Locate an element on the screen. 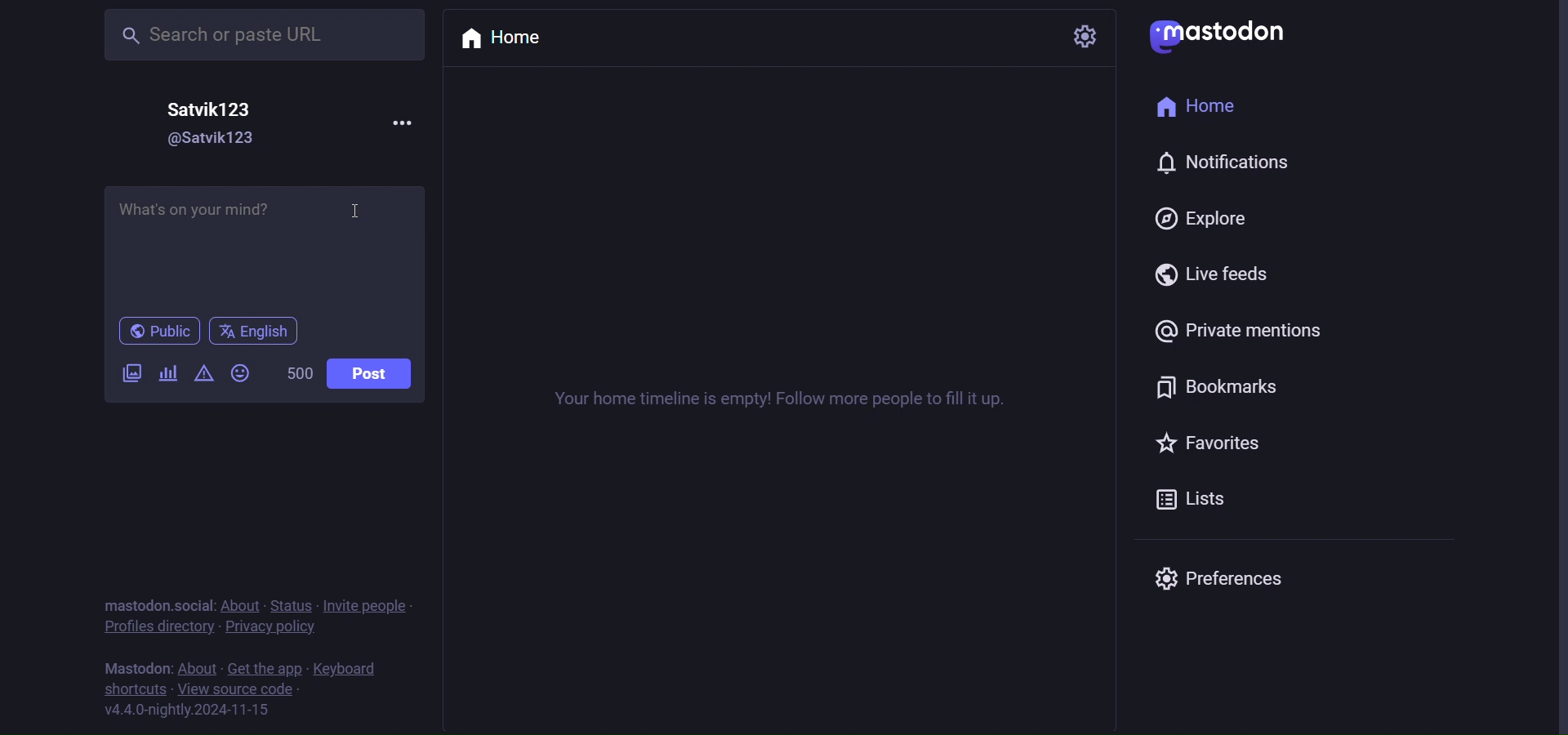  about is located at coordinates (244, 607).